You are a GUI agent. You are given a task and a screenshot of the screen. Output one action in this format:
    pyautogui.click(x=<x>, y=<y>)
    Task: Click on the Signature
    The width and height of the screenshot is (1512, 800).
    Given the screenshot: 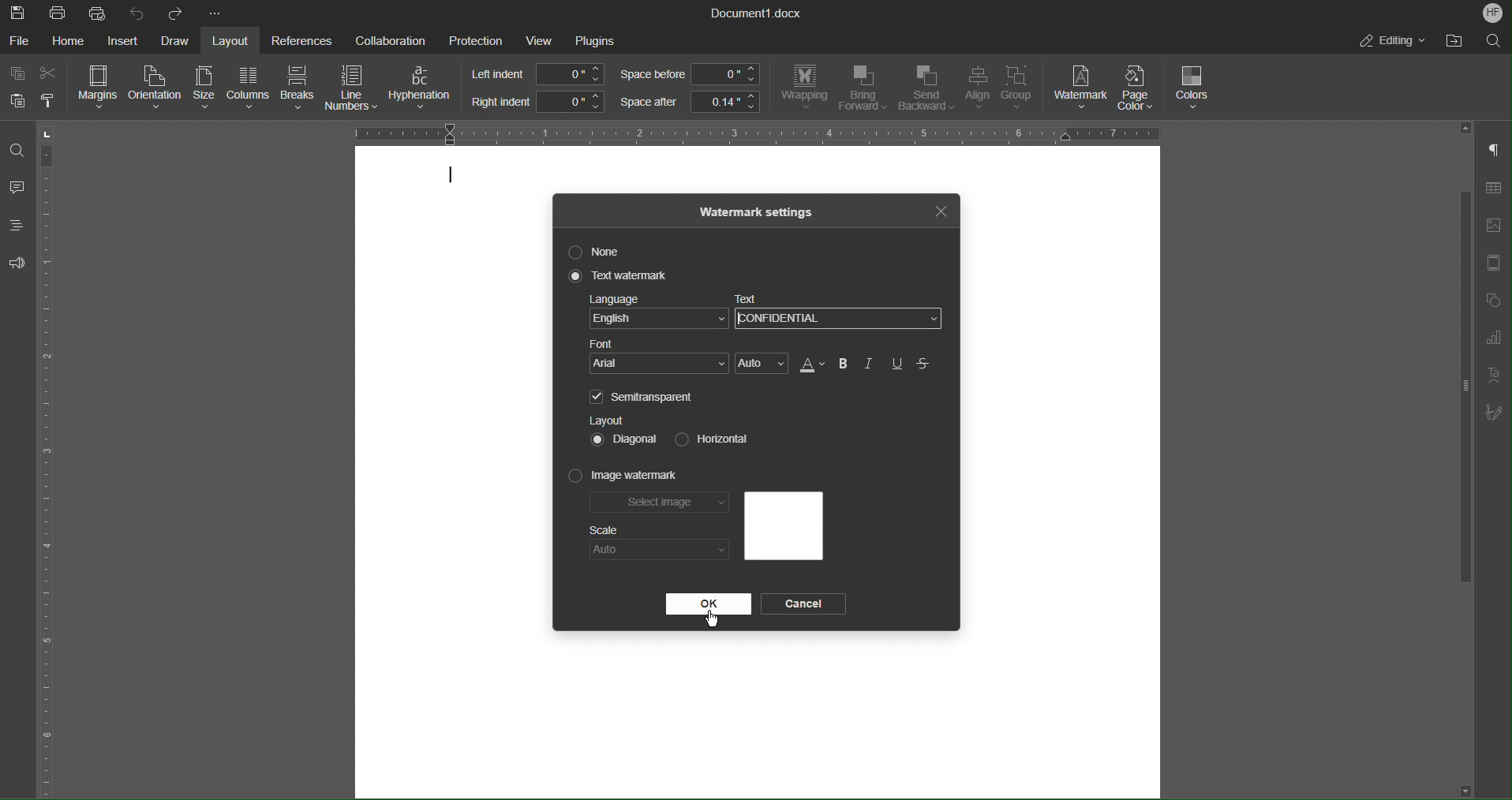 What is the action you would take?
    pyautogui.click(x=1494, y=413)
    